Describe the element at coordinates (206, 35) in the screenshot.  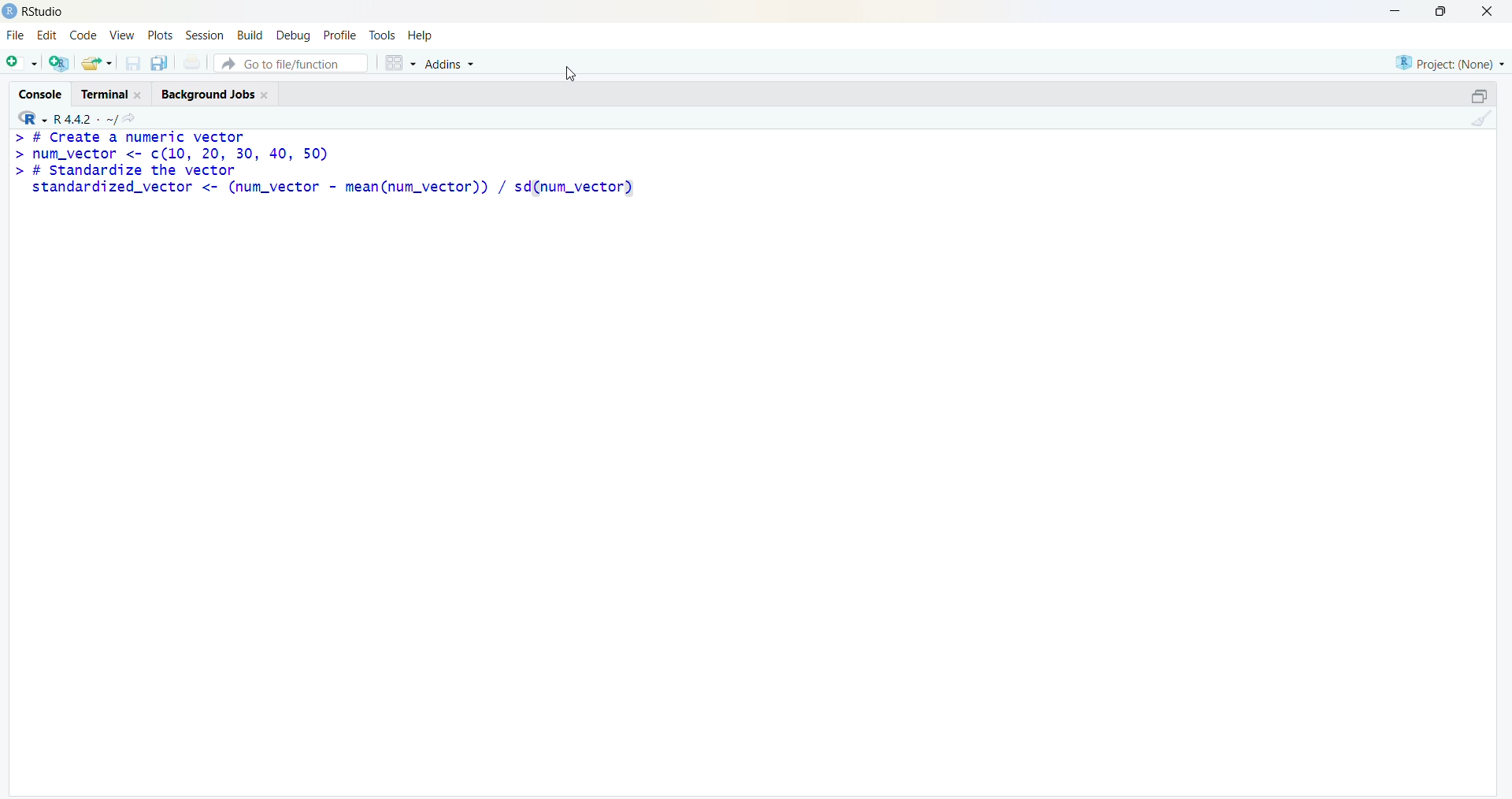
I see `session` at that location.